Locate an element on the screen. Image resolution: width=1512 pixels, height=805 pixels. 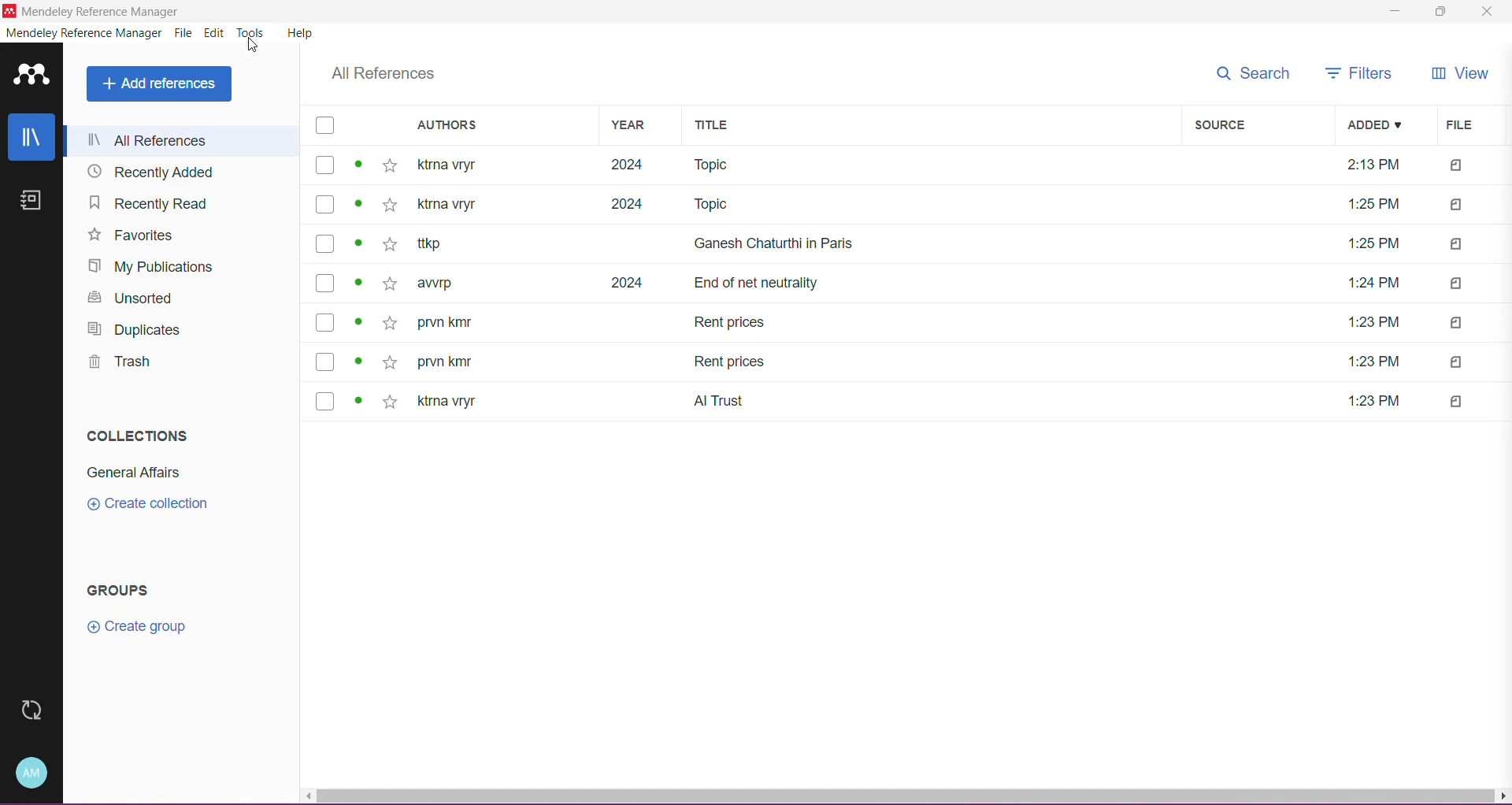
author is located at coordinates (448, 402).